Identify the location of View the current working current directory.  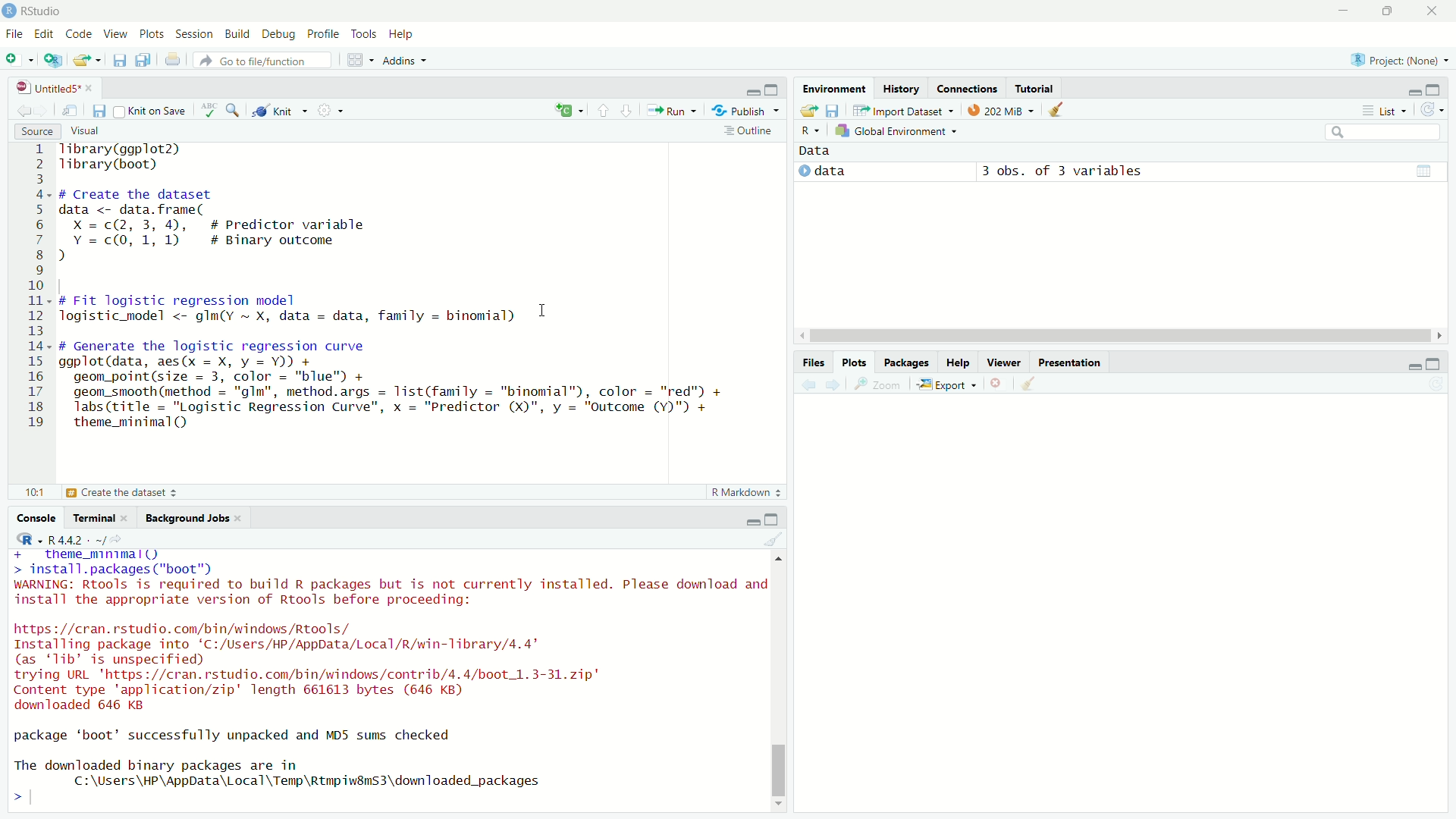
(117, 538).